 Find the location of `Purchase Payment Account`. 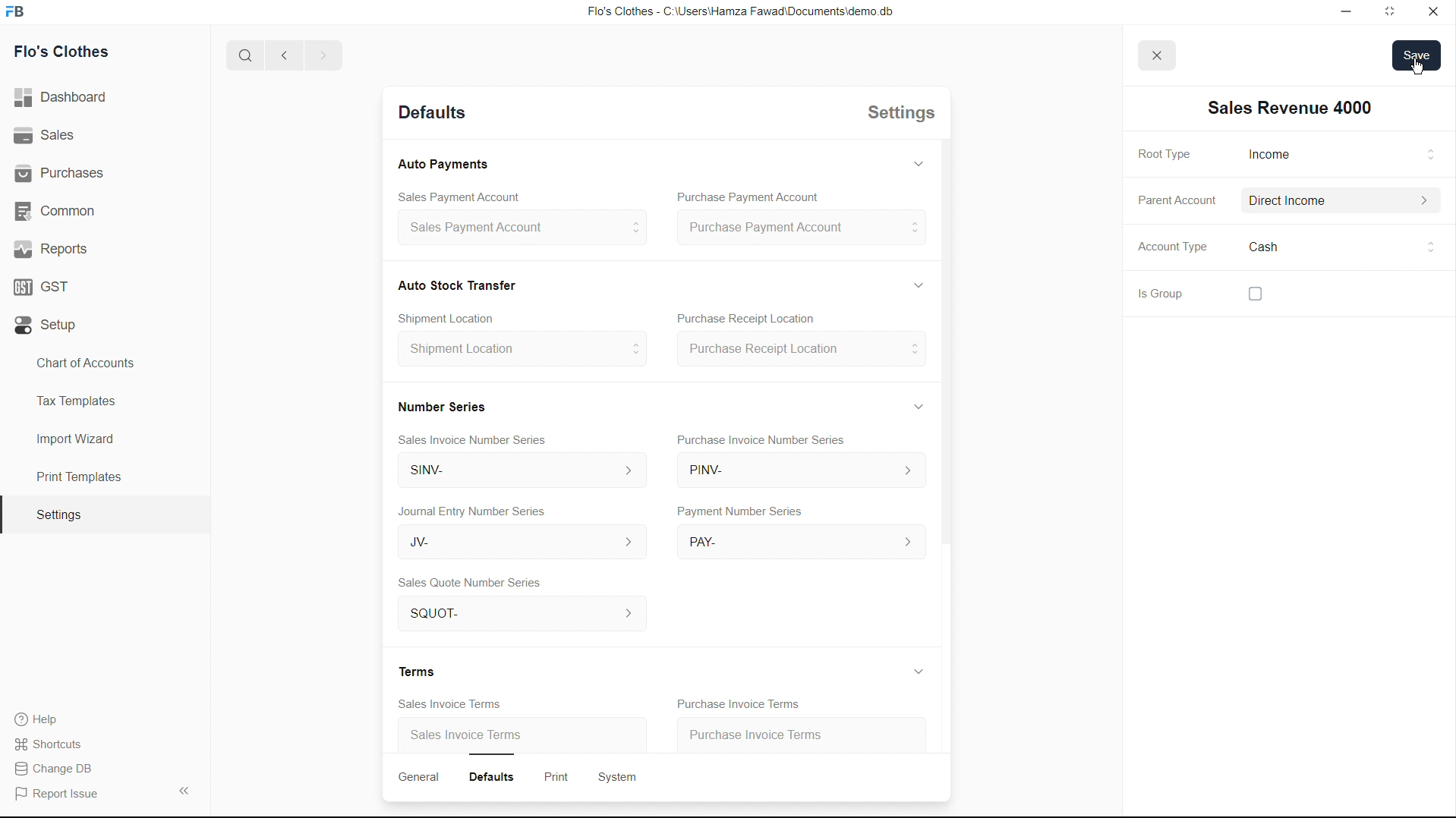

Purchase Payment Account is located at coordinates (742, 197).